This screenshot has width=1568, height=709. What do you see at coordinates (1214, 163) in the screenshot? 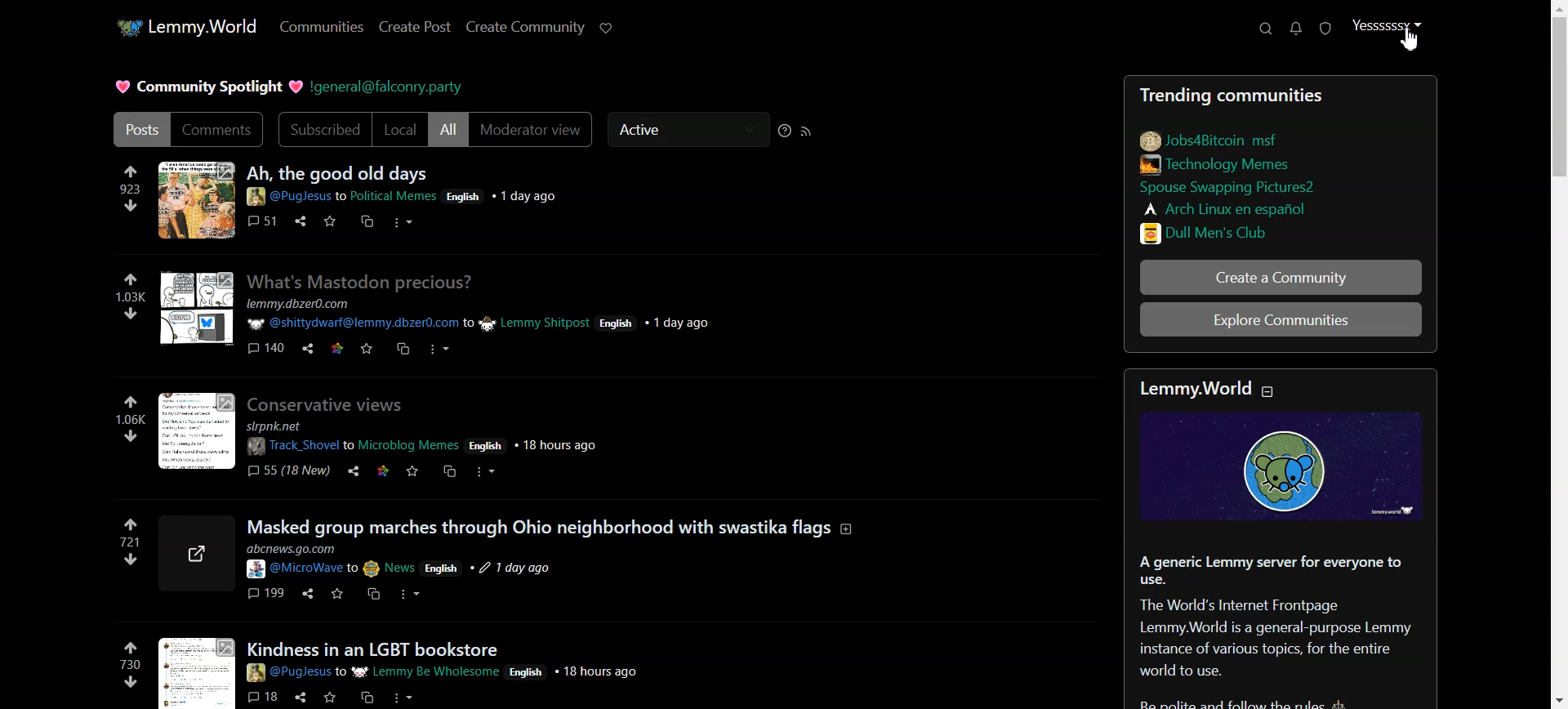
I see `link` at bounding box center [1214, 163].